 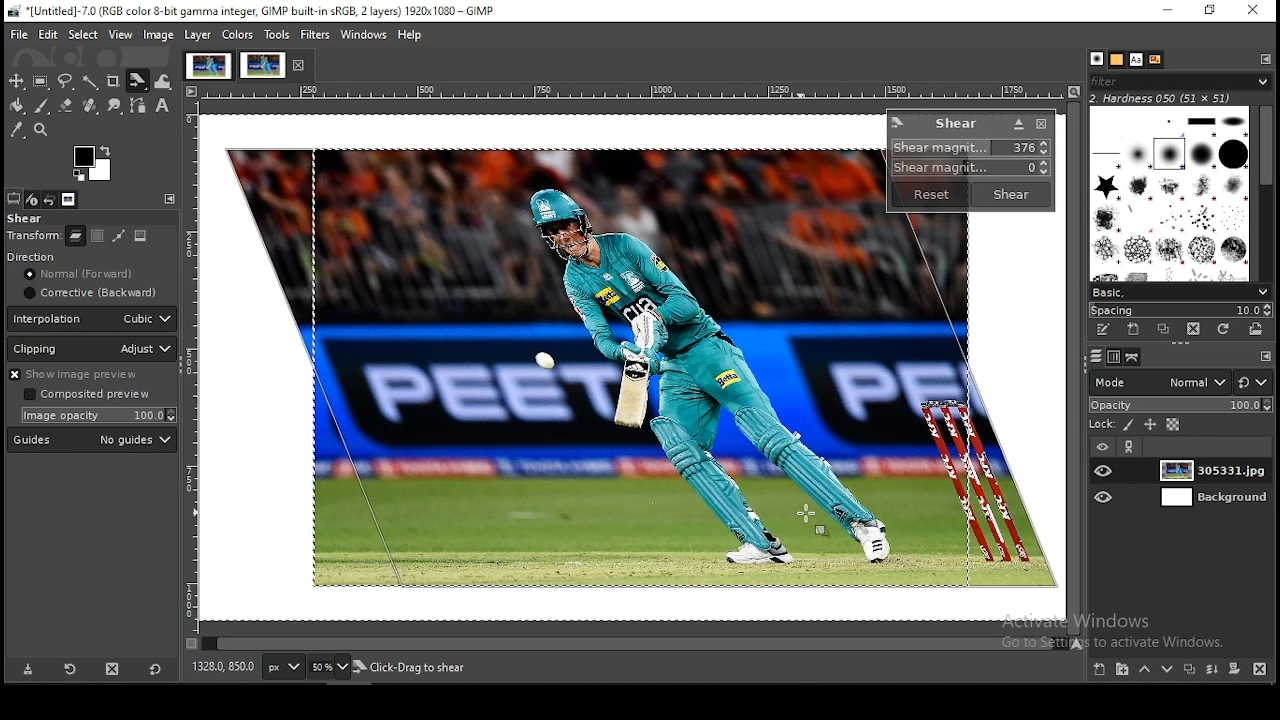 What do you see at coordinates (114, 80) in the screenshot?
I see `crop` at bounding box center [114, 80].